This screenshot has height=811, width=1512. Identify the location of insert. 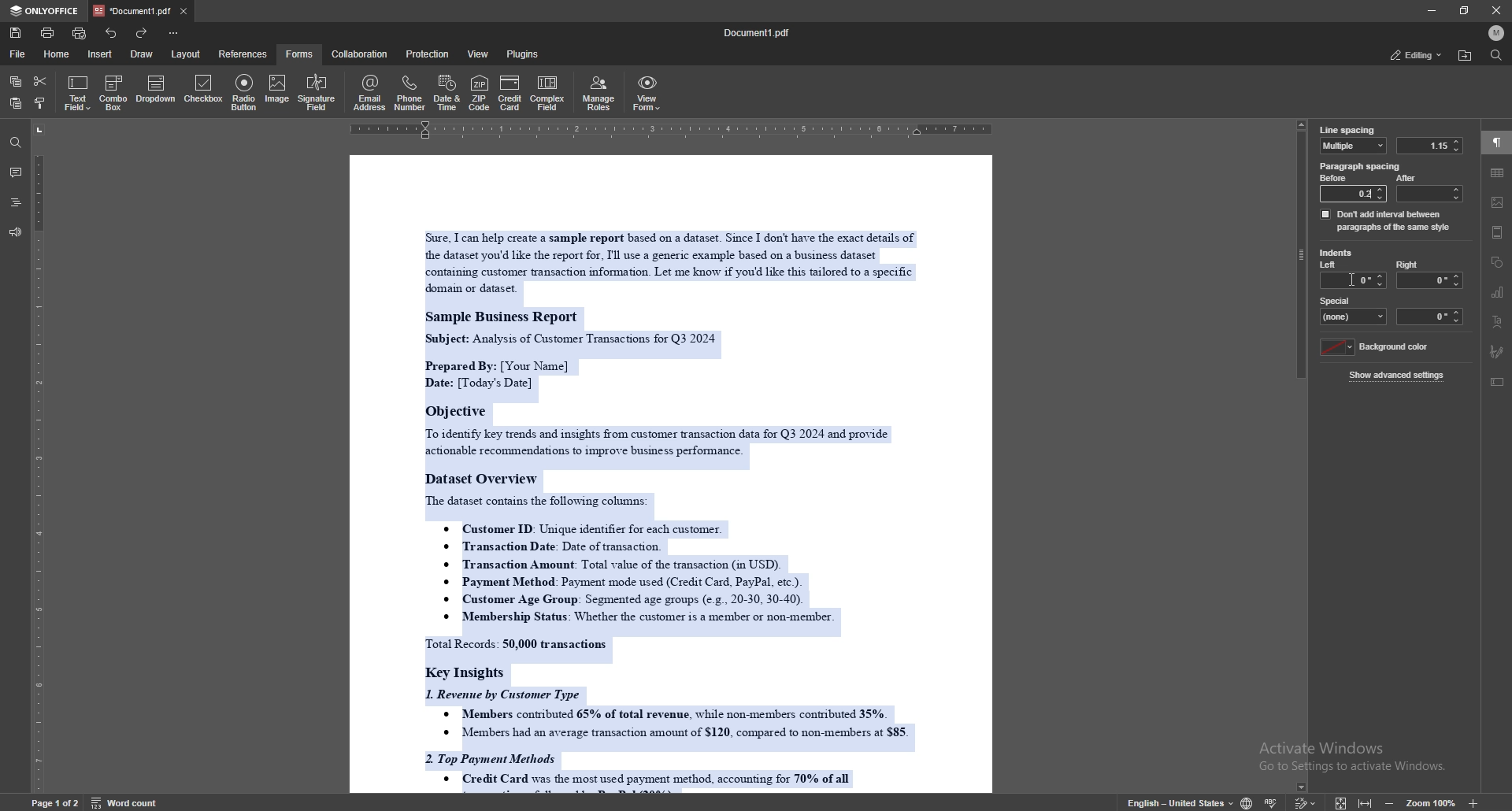
(99, 54).